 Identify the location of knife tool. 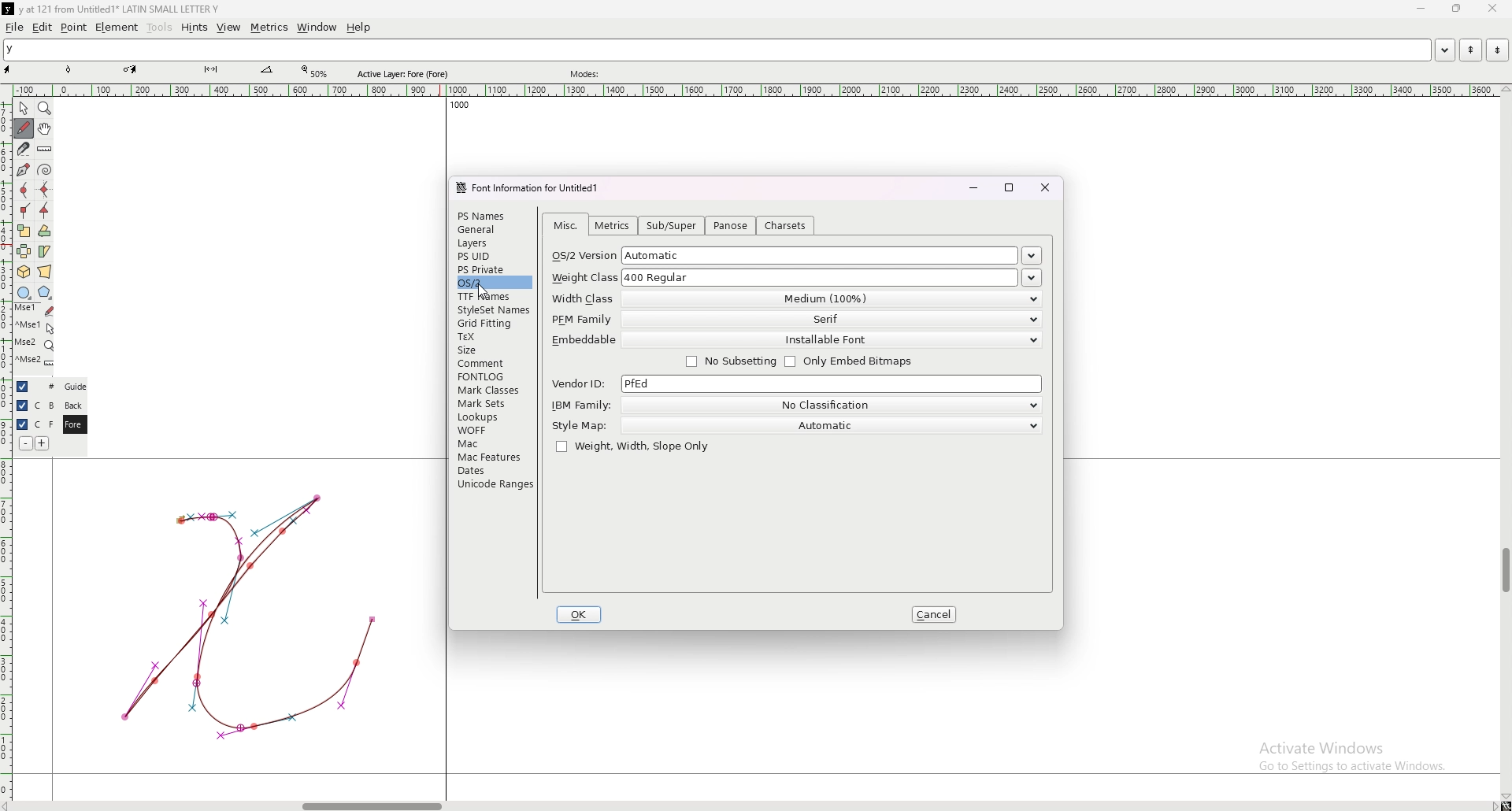
(209, 70).